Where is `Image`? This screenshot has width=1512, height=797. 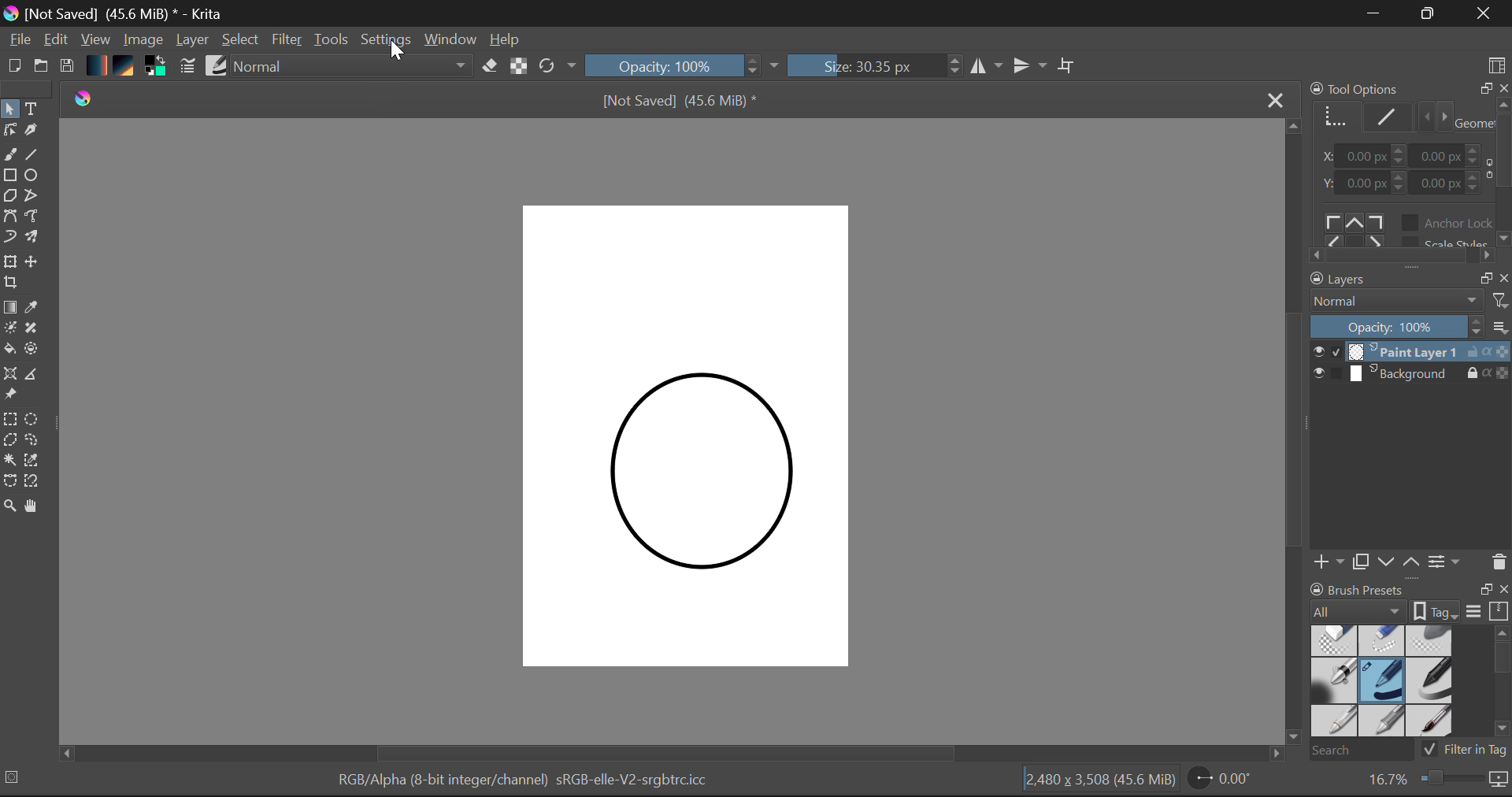
Image is located at coordinates (143, 41).